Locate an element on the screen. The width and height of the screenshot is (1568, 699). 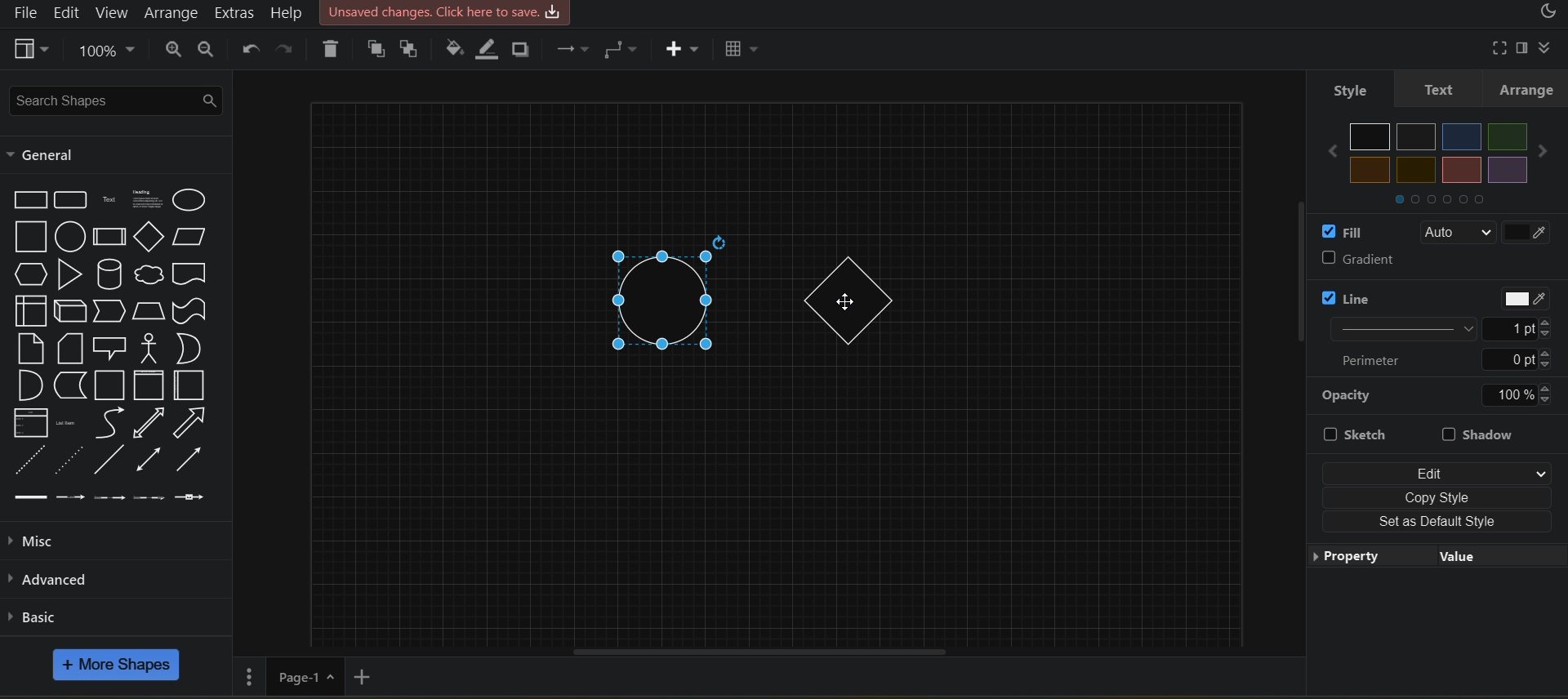
Rounded Rectangle is located at coordinates (72, 200).